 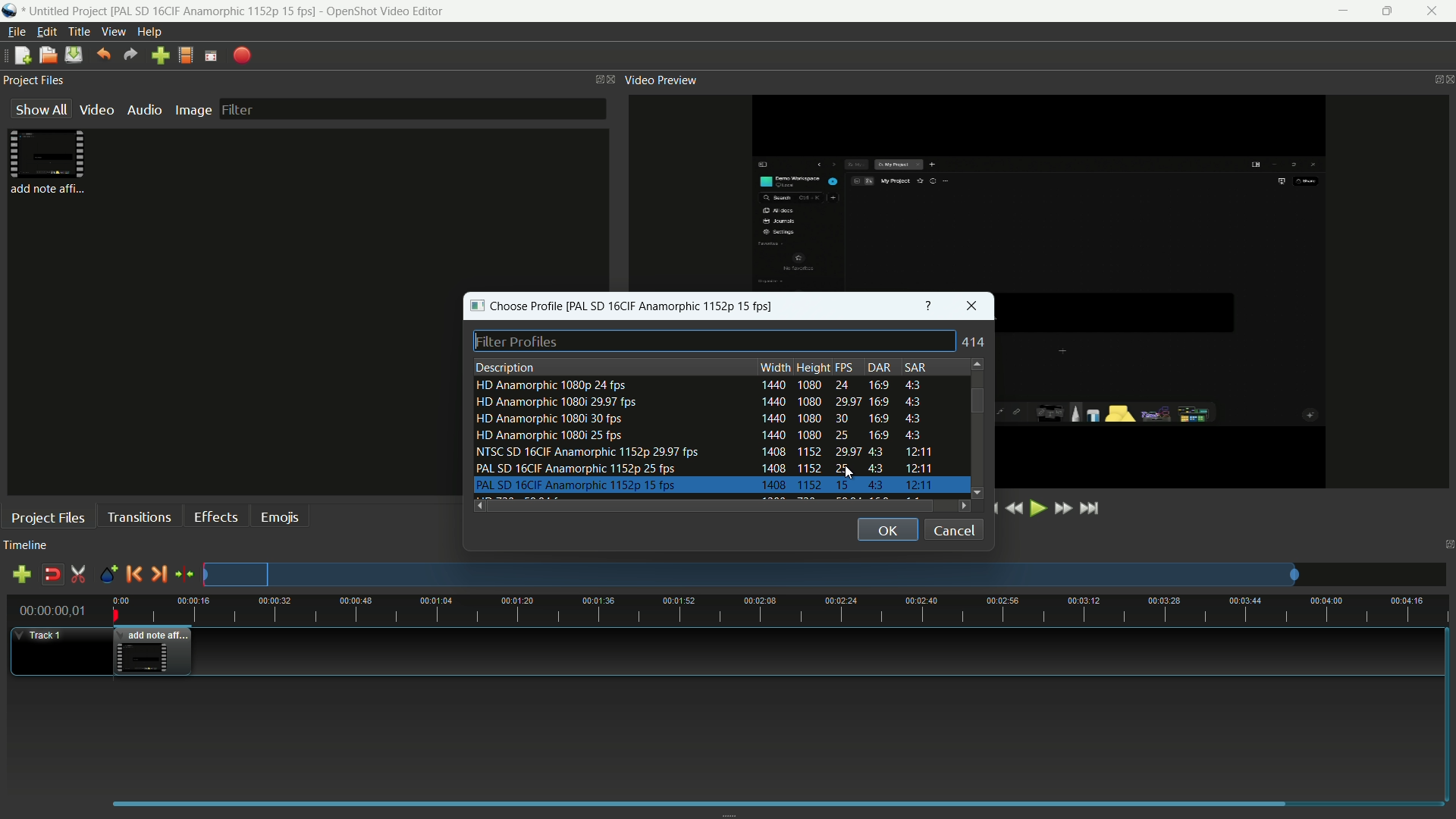 I want to click on profile, so click(x=215, y=11).